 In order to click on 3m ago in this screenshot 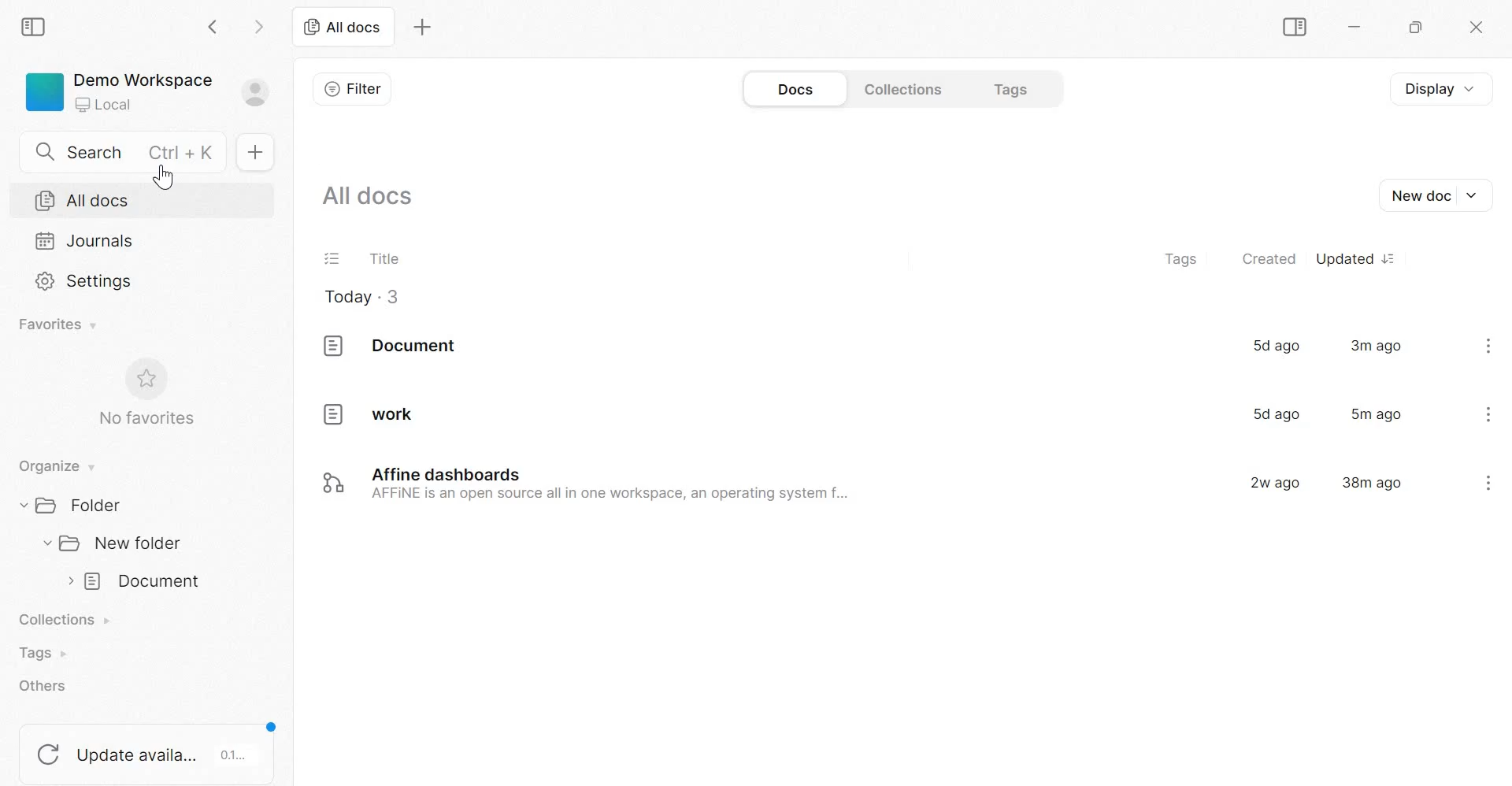, I will do `click(1377, 345)`.